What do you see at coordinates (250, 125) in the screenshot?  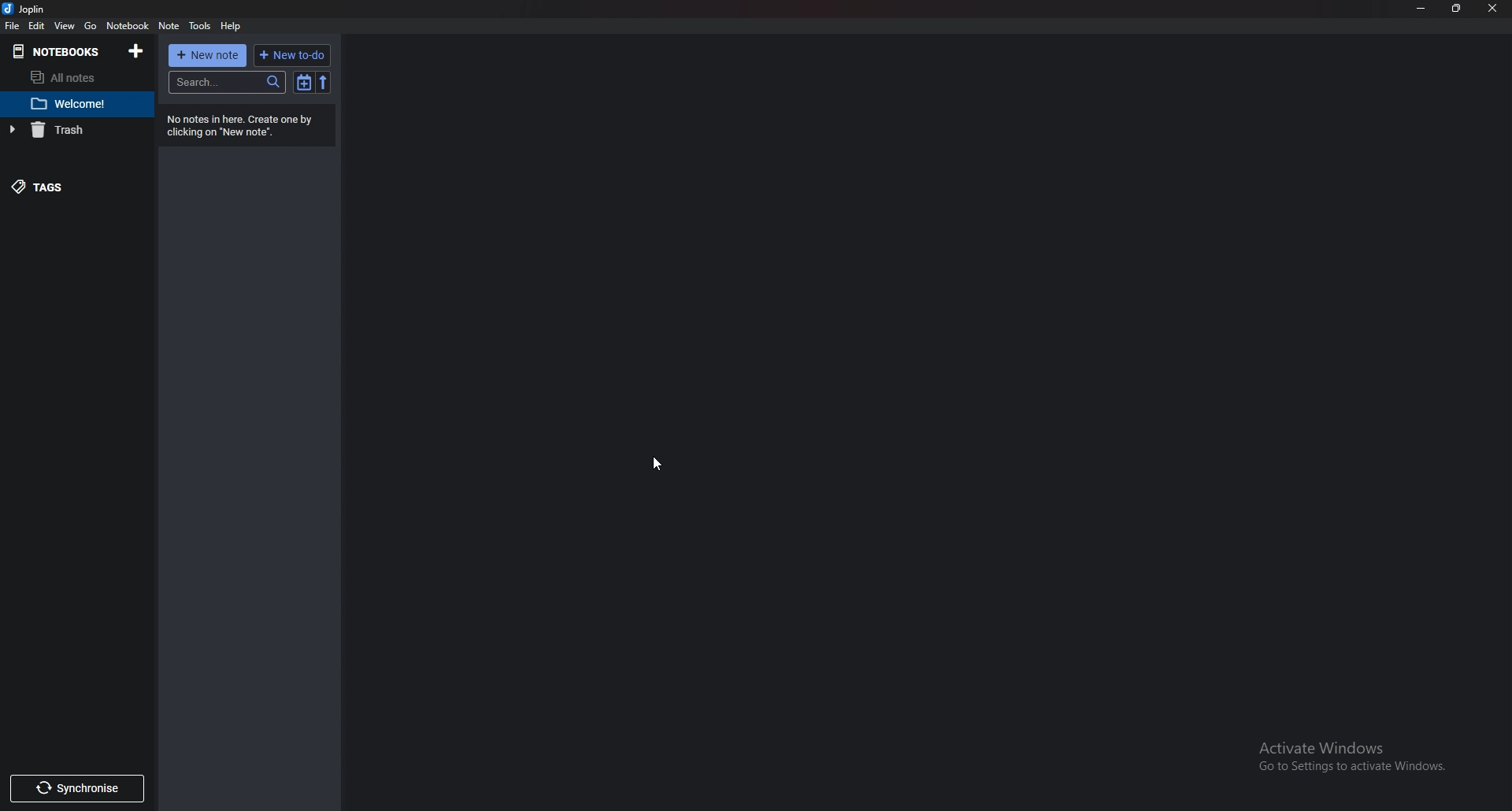 I see `Info` at bounding box center [250, 125].